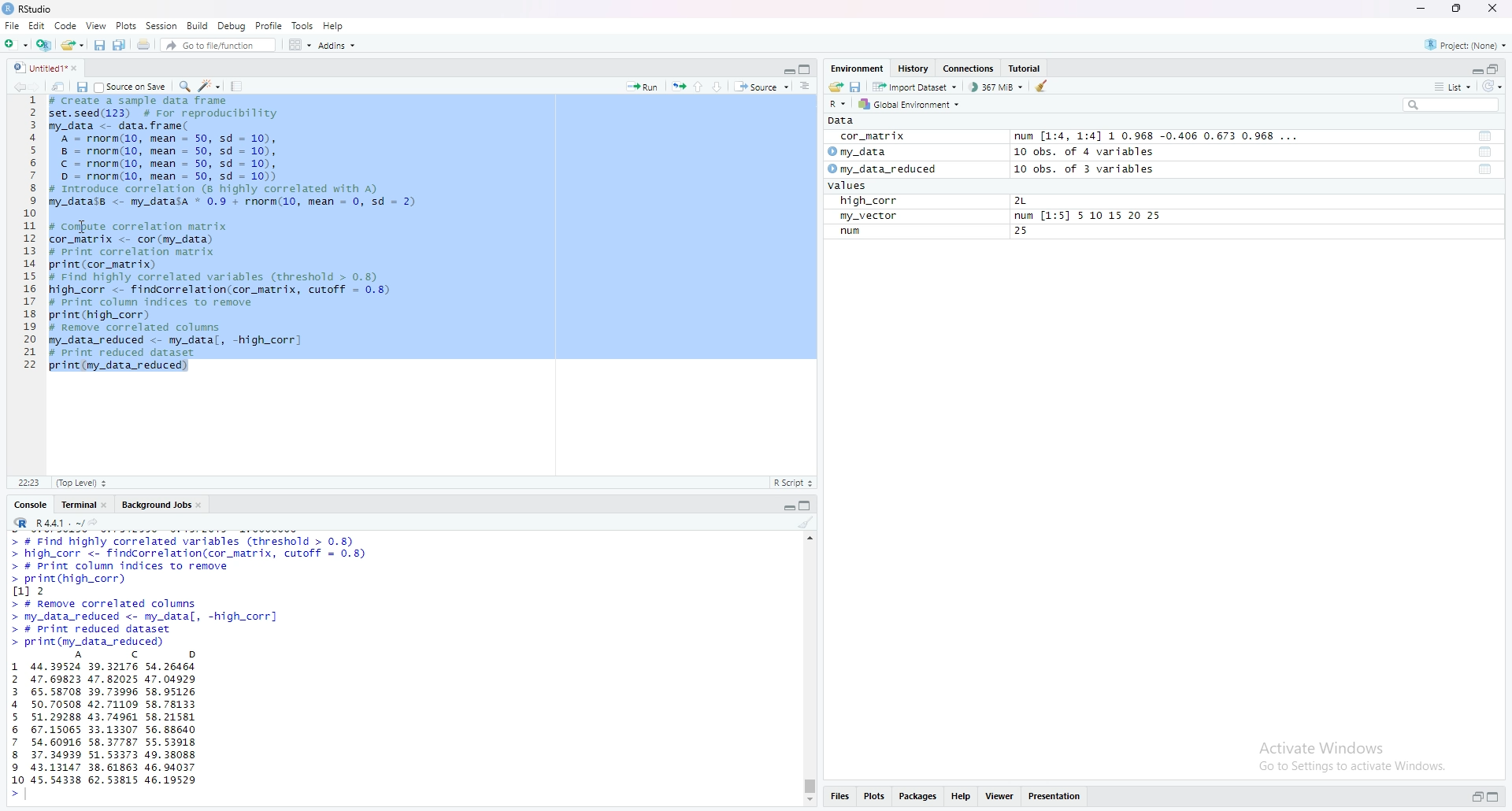 The height and width of the screenshot is (811, 1512). I want to click on Project: (None), so click(1466, 45).